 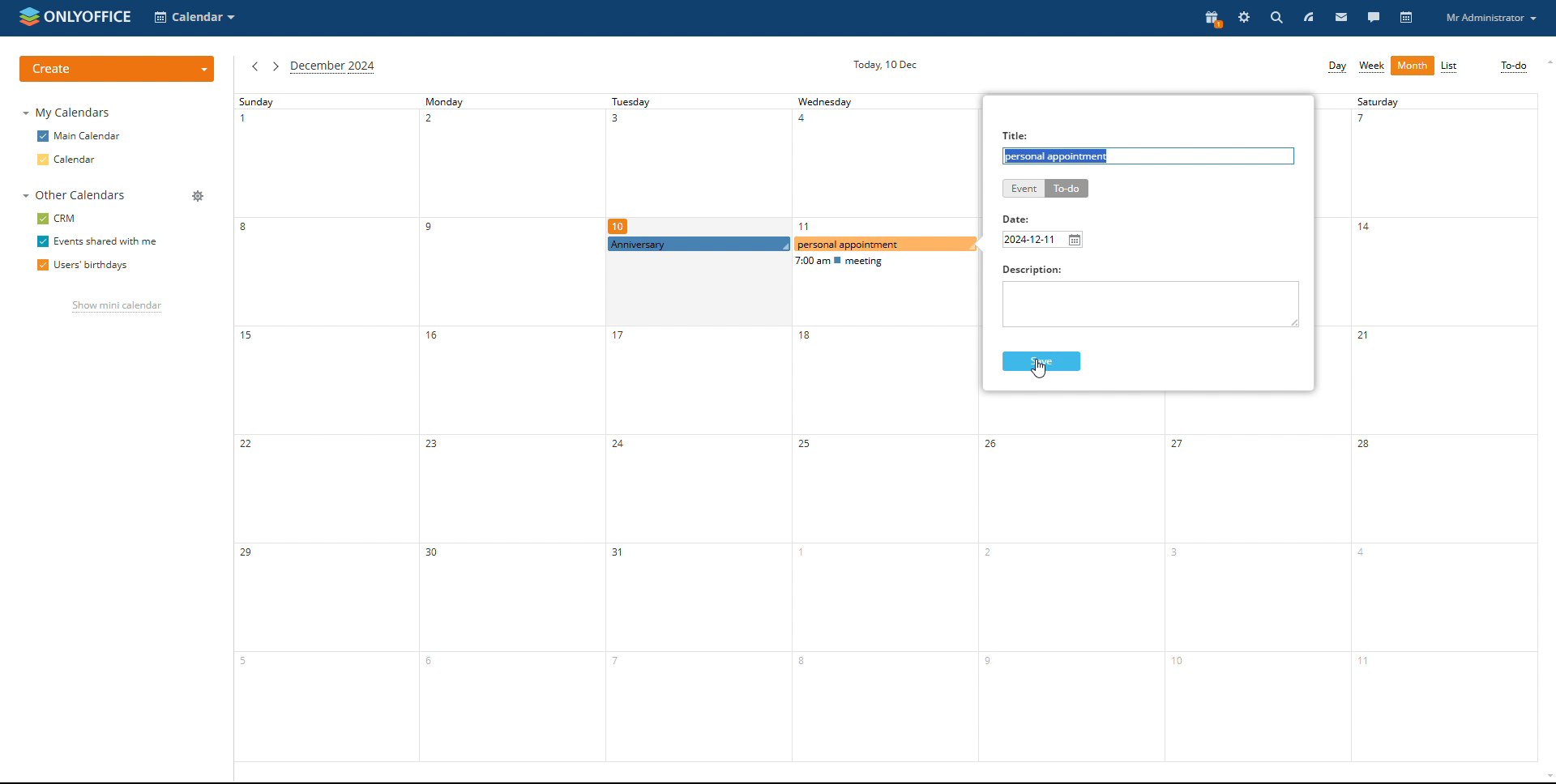 What do you see at coordinates (1450, 66) in the screenshot?
I see `list view` at bounding box center [1450, 66].